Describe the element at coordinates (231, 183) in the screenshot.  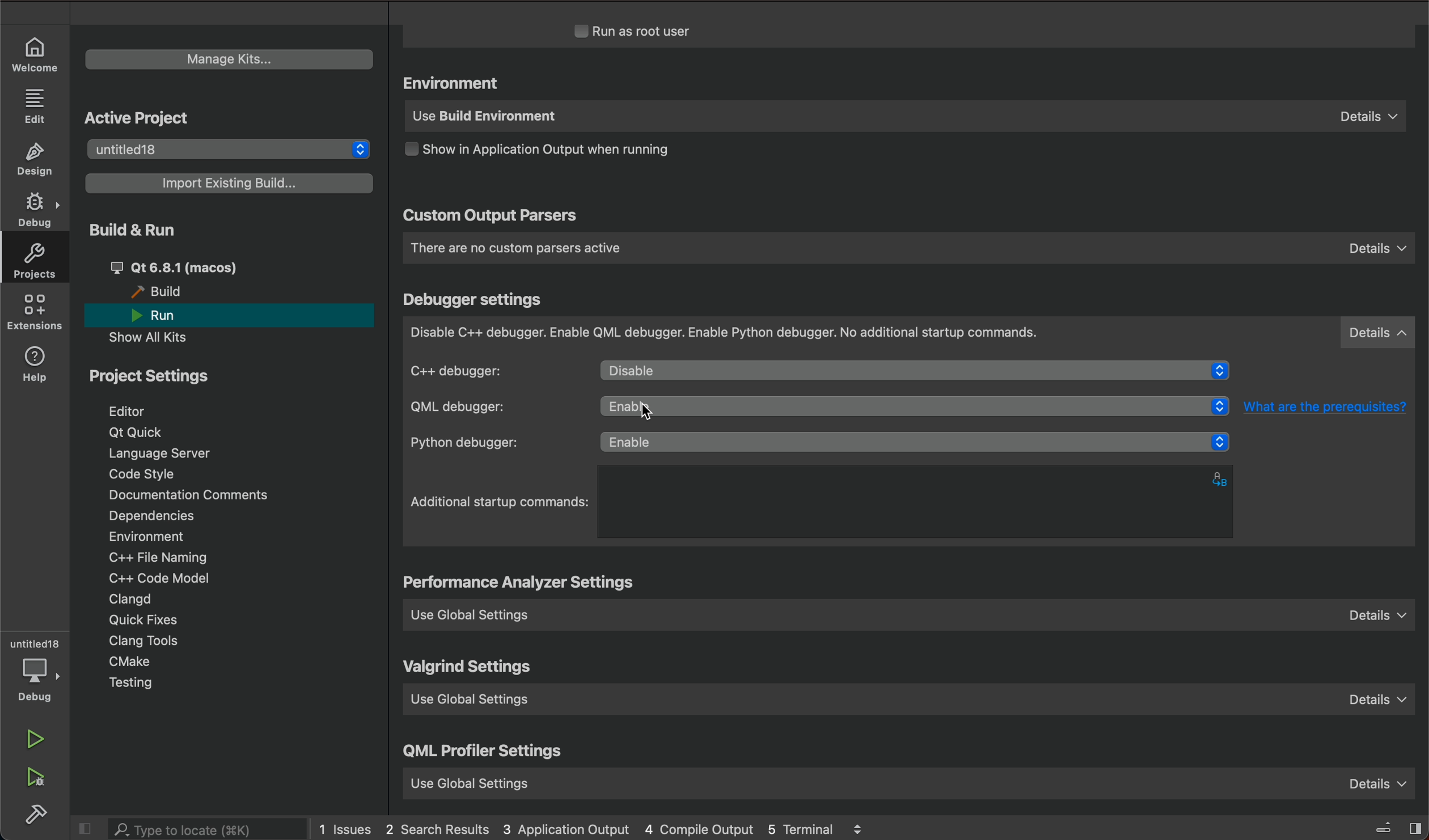
I see `import ` at that location.